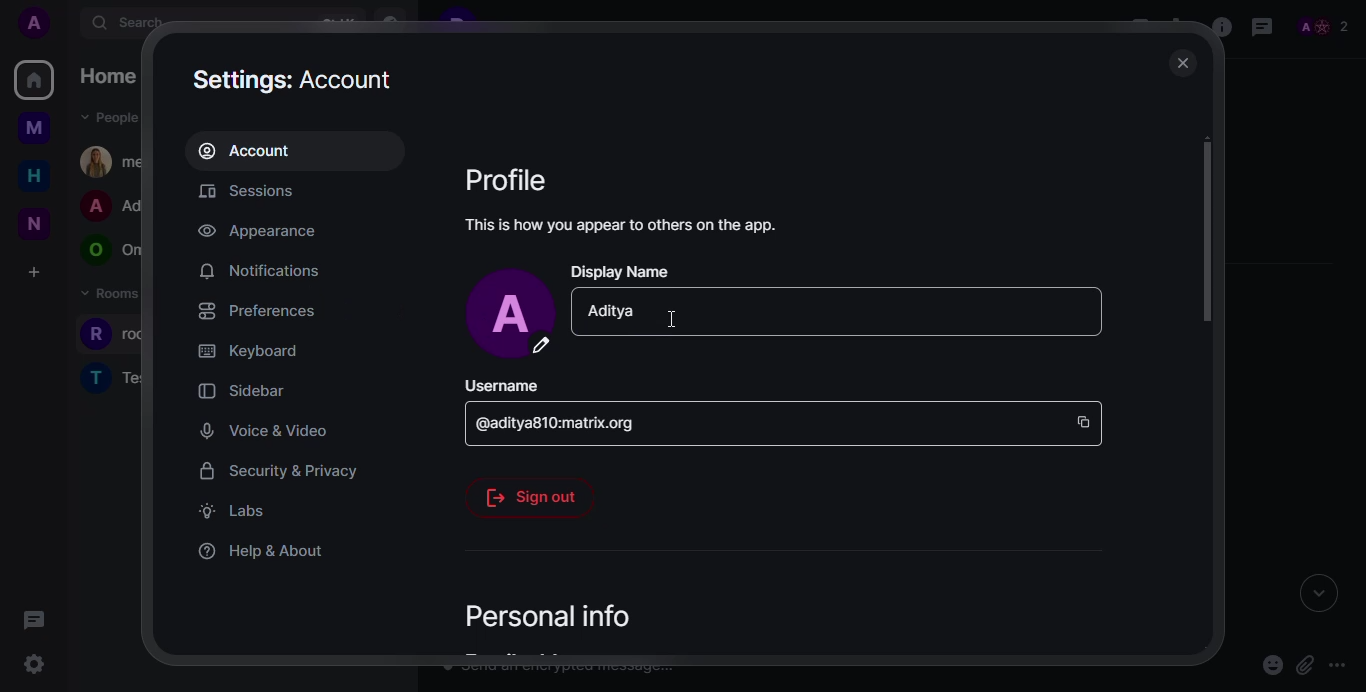 This screenshot has height=692, width=1366. I want to click on scroll bar, so click(1206, 231).